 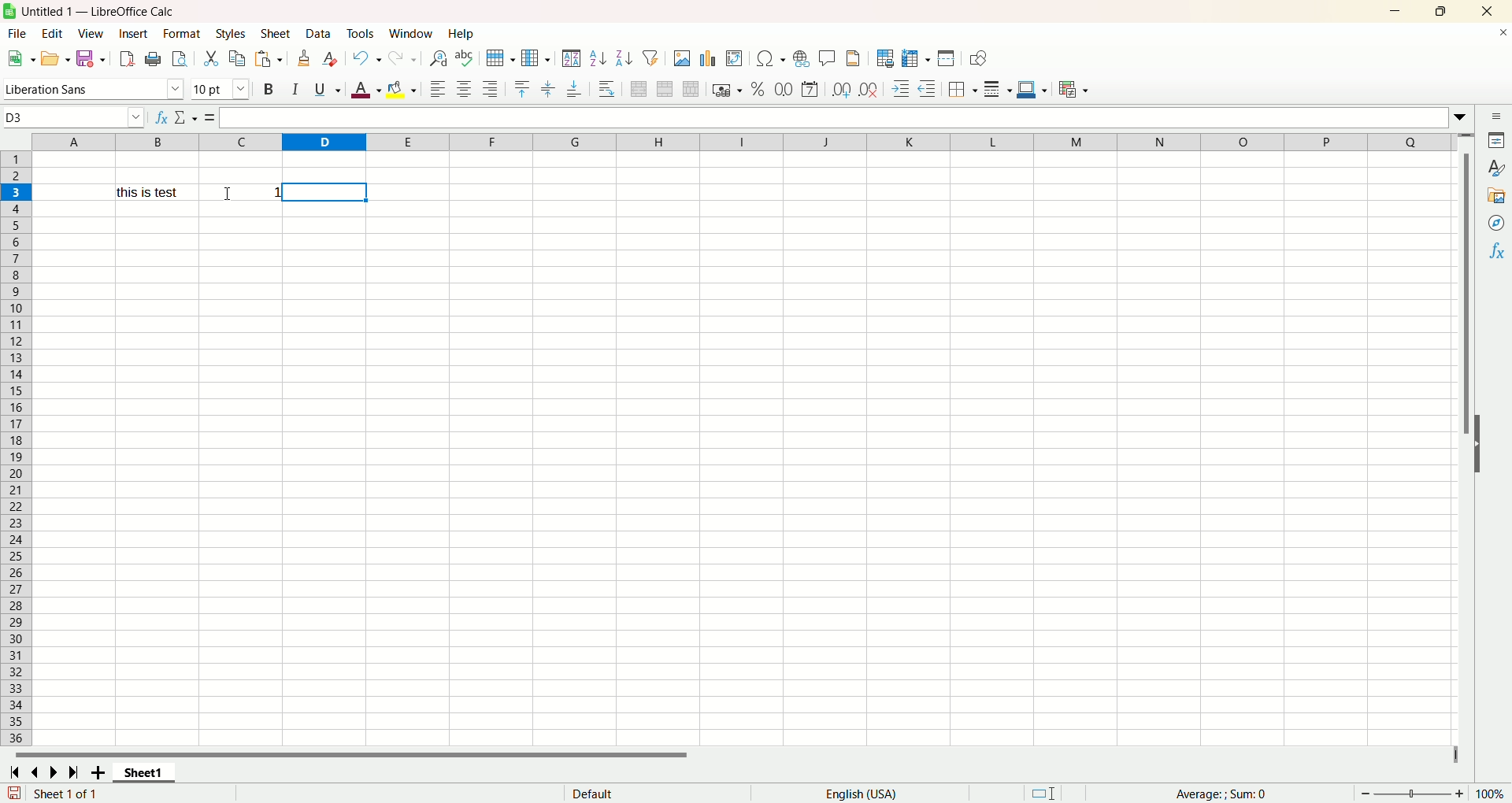 I want to click on underline, so click(x=326, y=88).